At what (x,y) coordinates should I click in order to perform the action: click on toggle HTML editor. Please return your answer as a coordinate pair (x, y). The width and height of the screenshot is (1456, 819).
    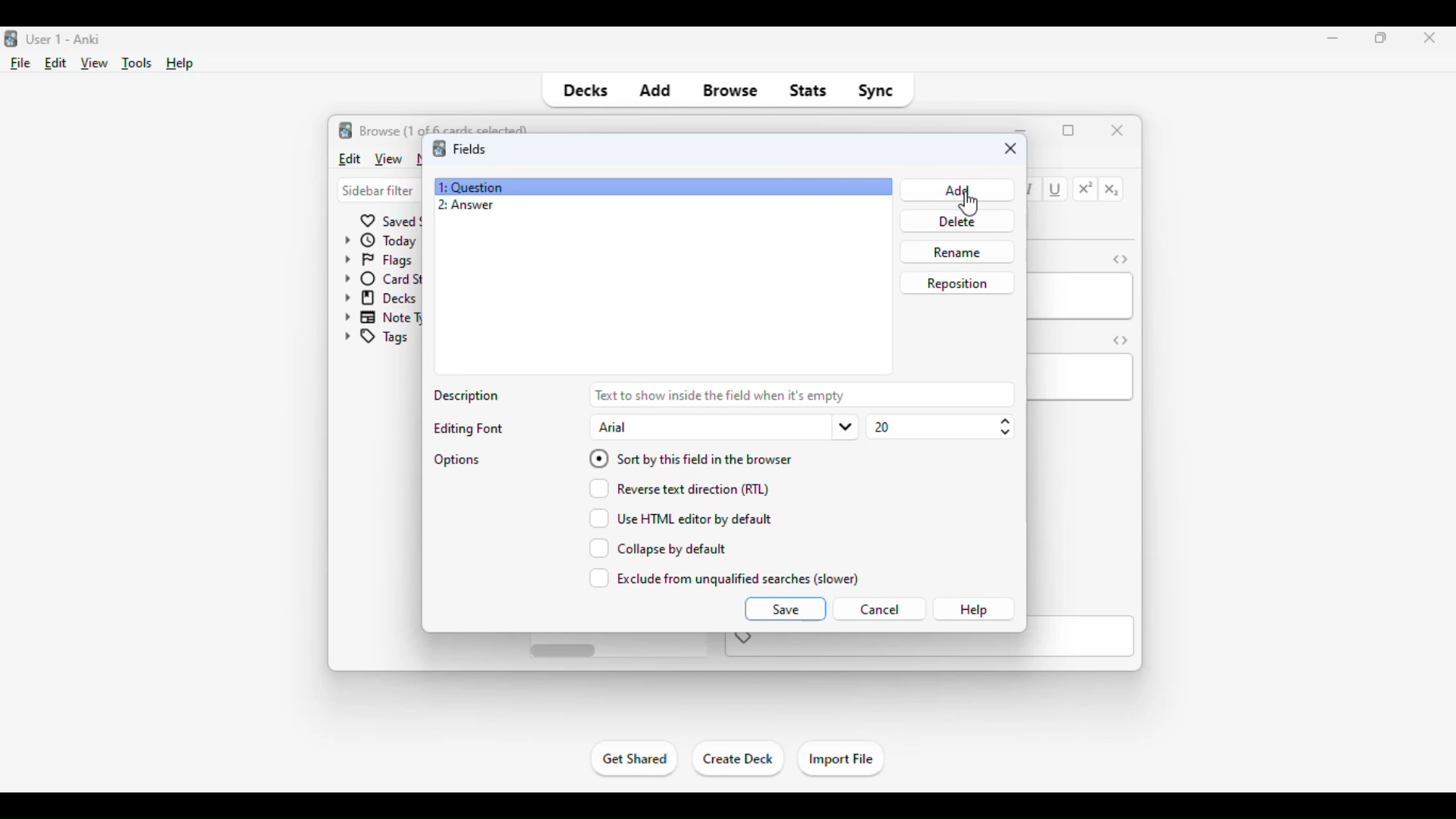
    Looking at the image, I should click on (1121, 340).